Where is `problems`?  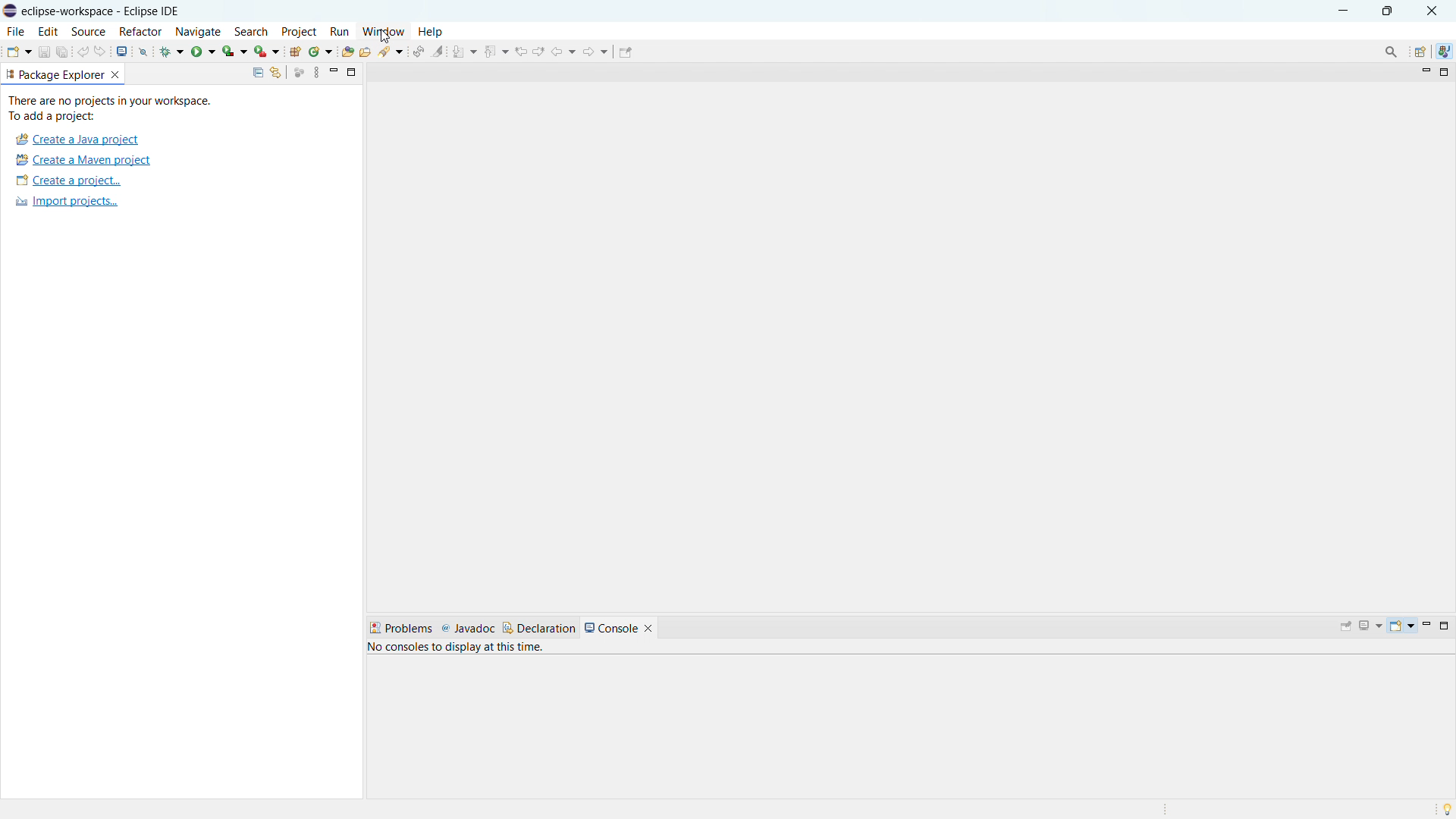
problems is located at coordinates (400, 627).